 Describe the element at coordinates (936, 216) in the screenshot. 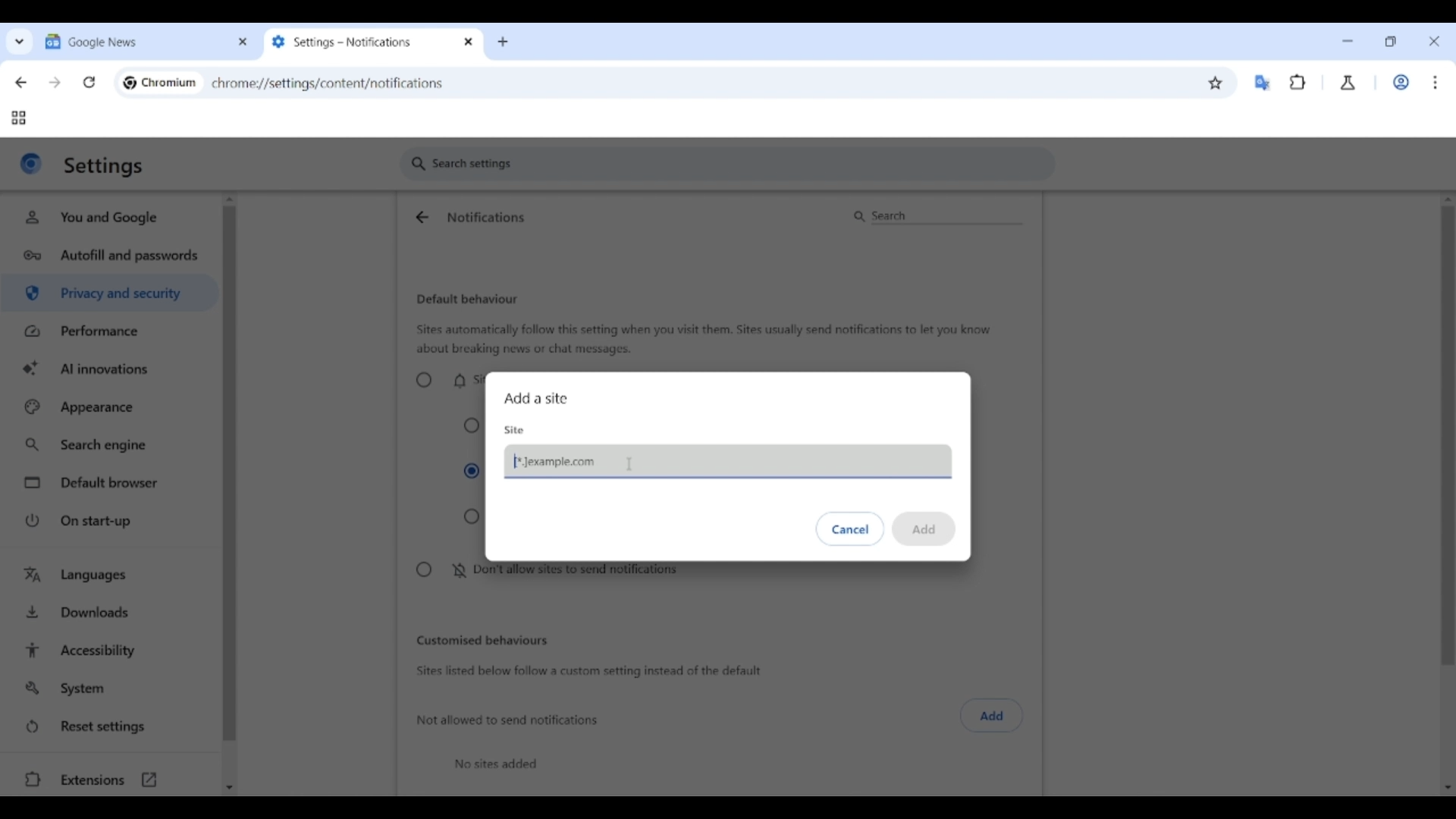

I see `Search notifications` at that location.